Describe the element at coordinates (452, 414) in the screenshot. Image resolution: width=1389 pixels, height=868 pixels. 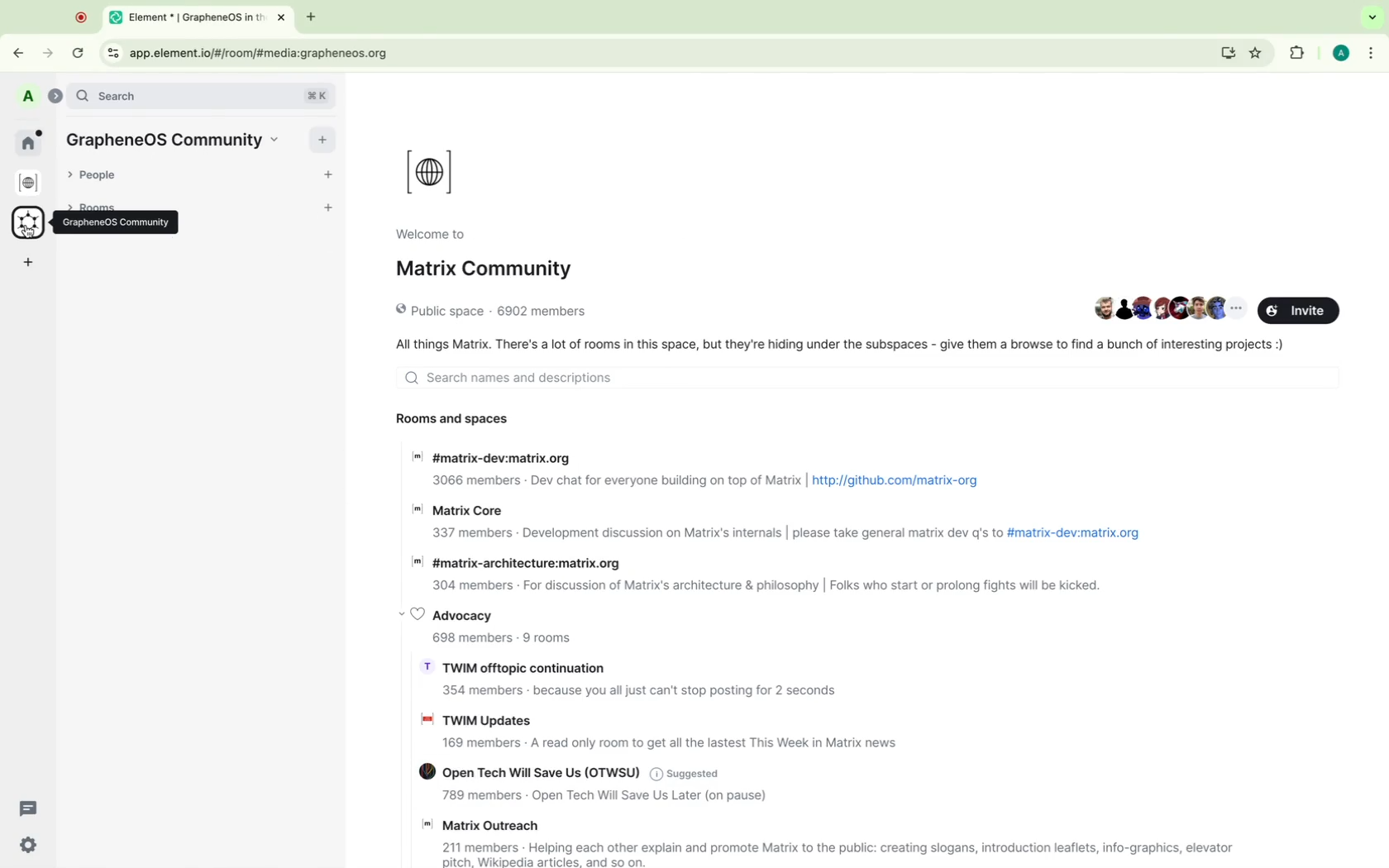
I see `rooms and spaces` at that location.